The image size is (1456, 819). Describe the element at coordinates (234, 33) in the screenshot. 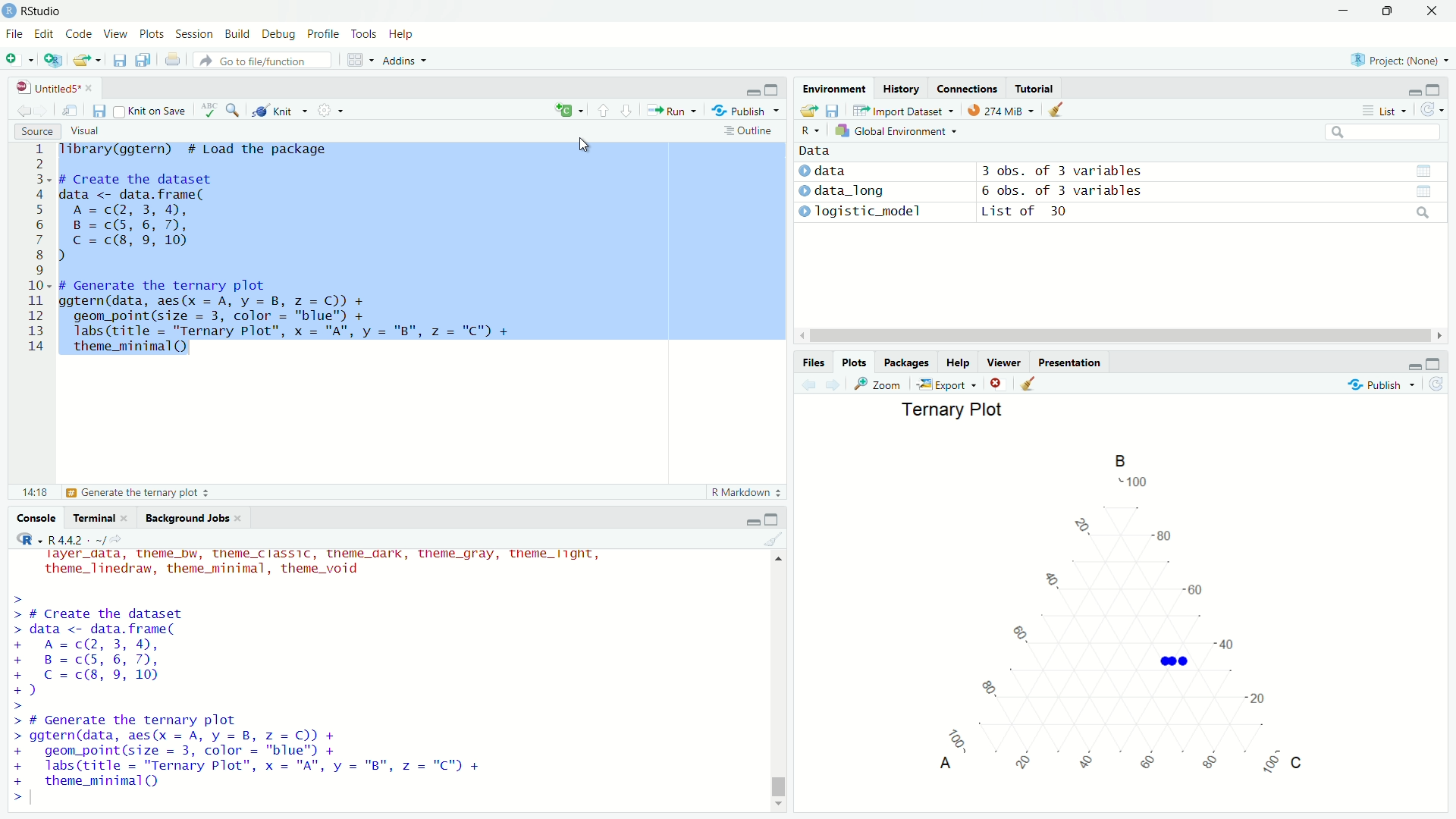

I see `Build` at that location.